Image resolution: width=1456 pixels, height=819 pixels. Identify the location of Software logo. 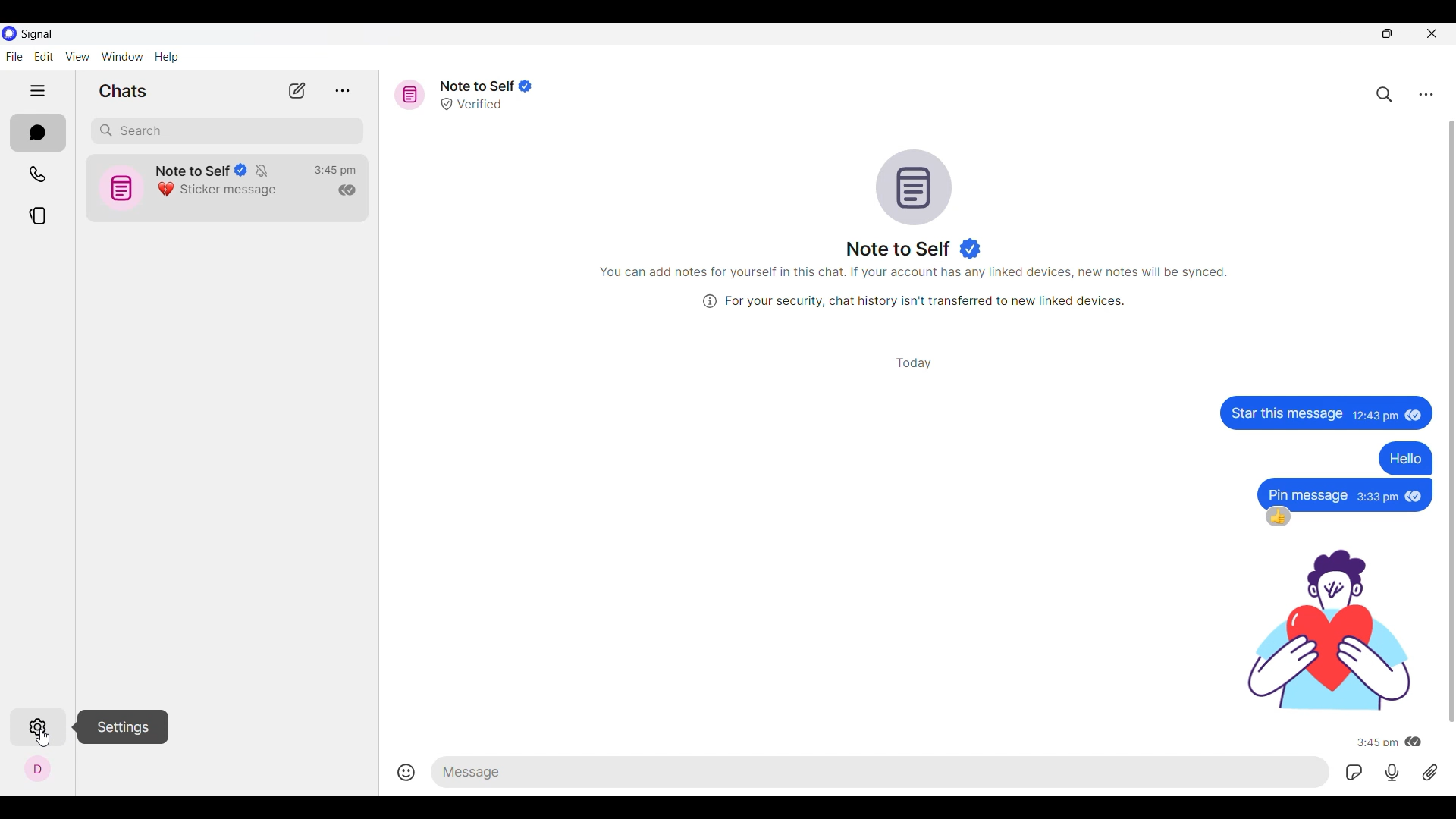
(10, 33).